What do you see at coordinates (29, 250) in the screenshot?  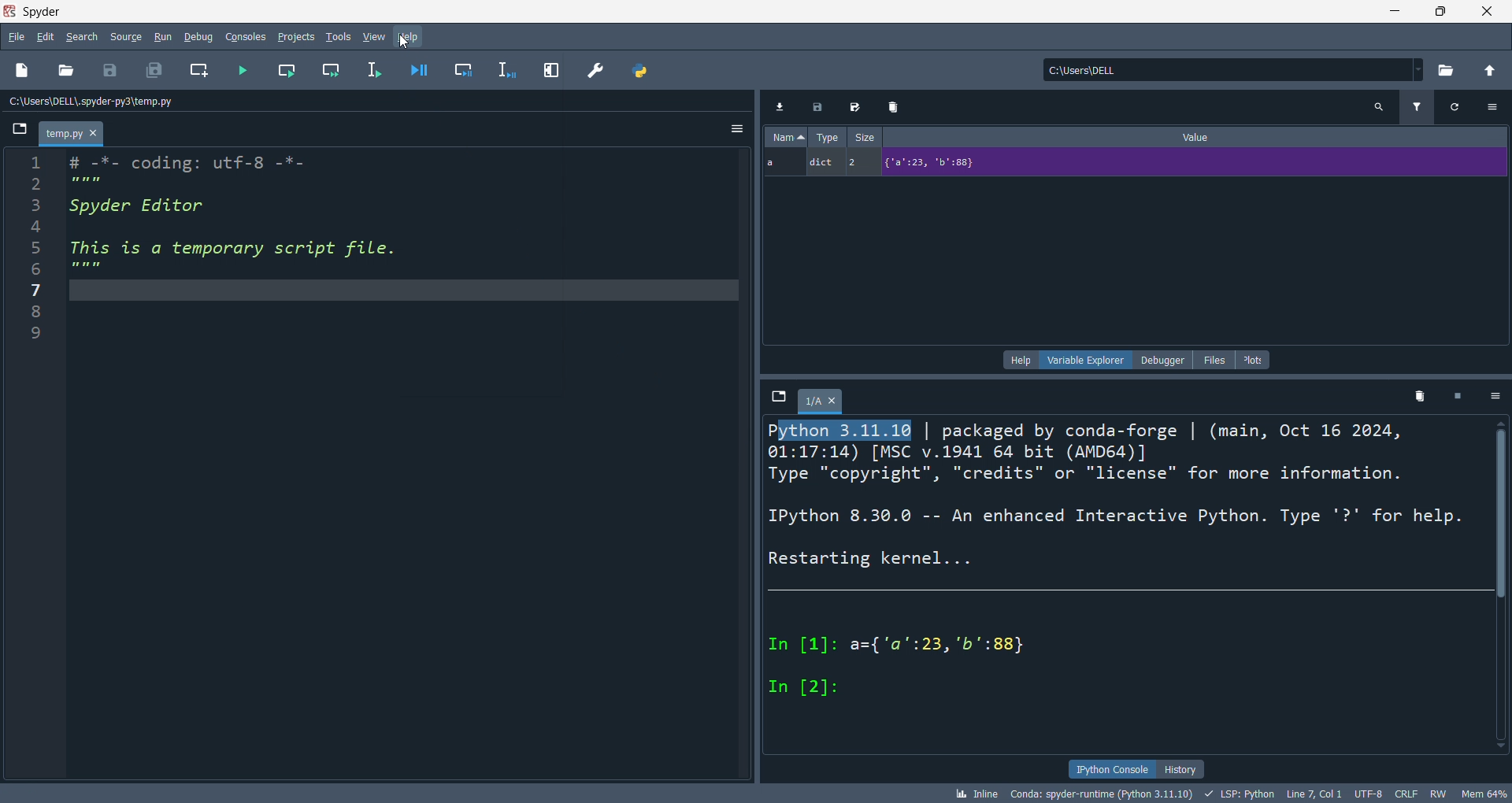 I see `Number line` at bounding box center [29, 250].